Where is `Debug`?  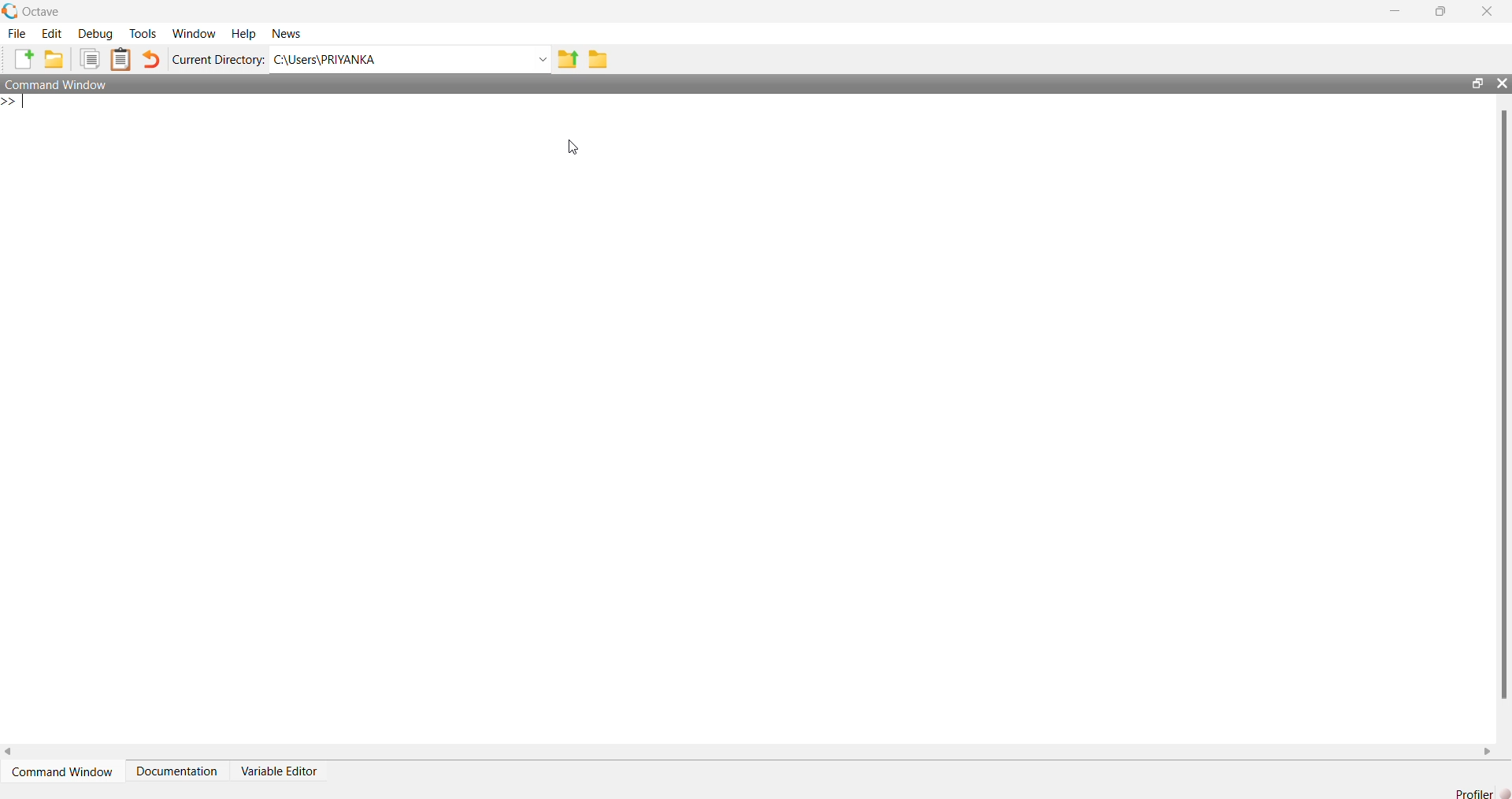 Debug is located at coordinates (95, 33).